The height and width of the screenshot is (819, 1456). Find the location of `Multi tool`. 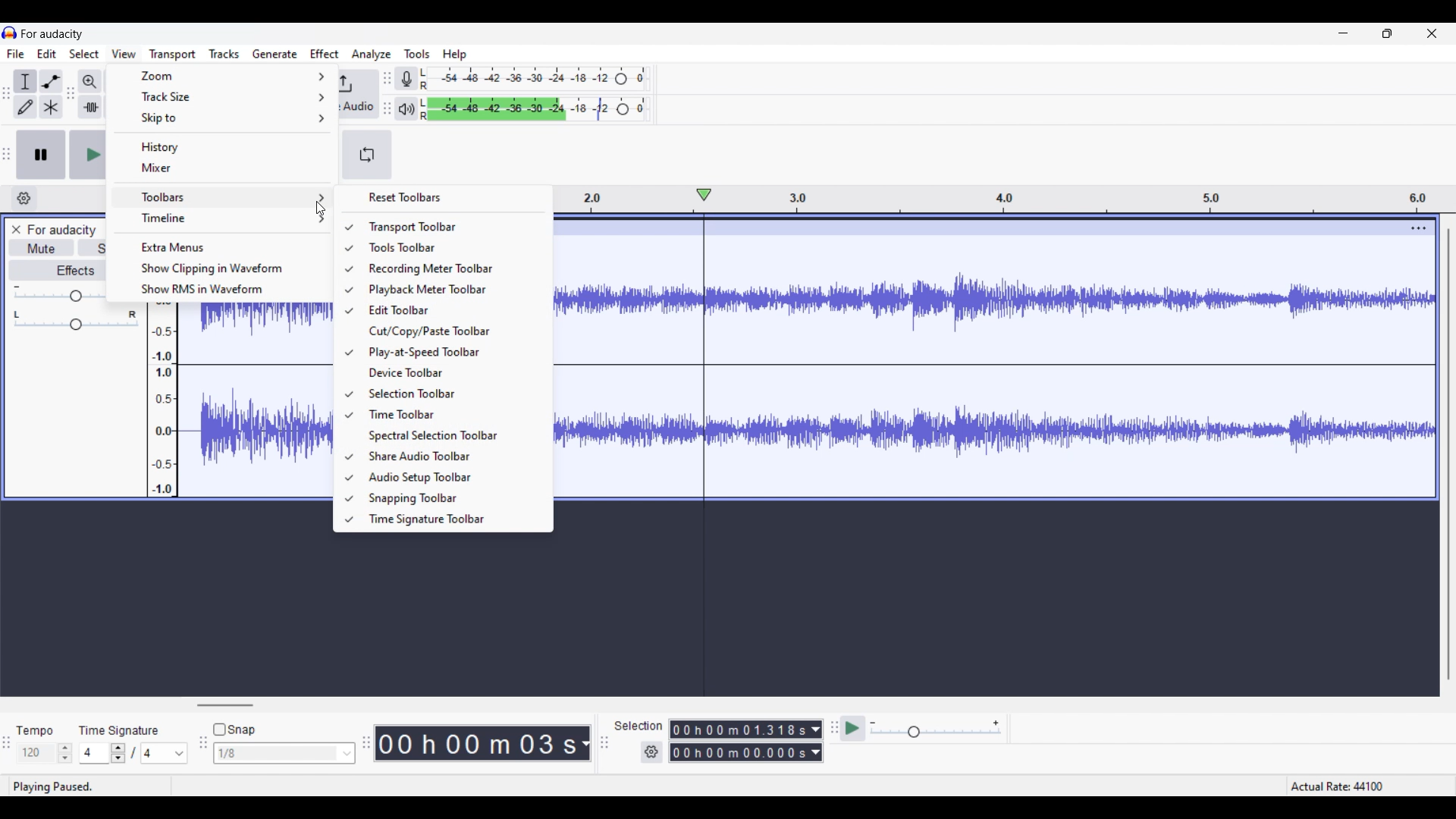

Multi tool is located at coordinates (51, 106).